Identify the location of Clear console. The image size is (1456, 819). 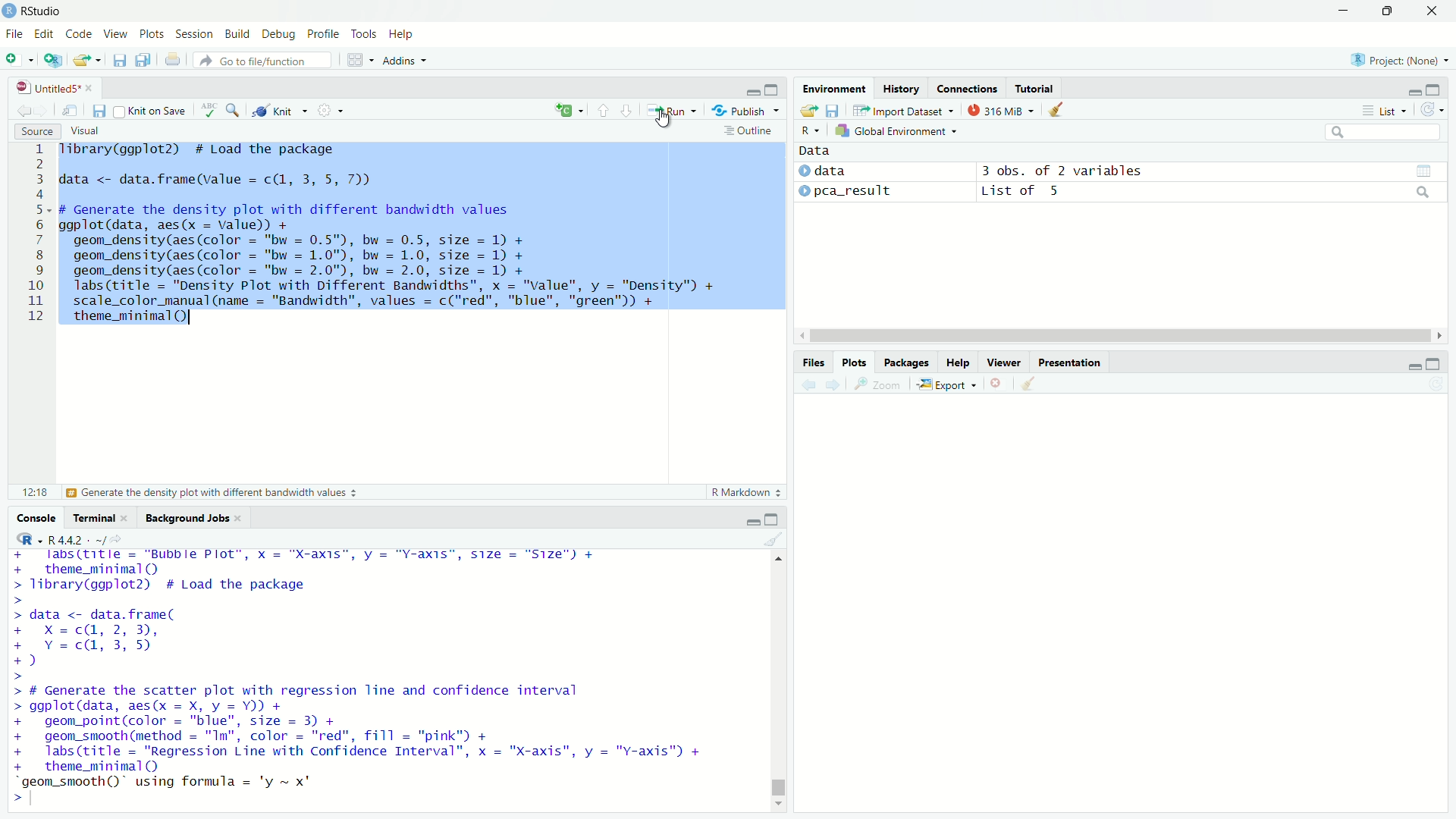
(774, 539).